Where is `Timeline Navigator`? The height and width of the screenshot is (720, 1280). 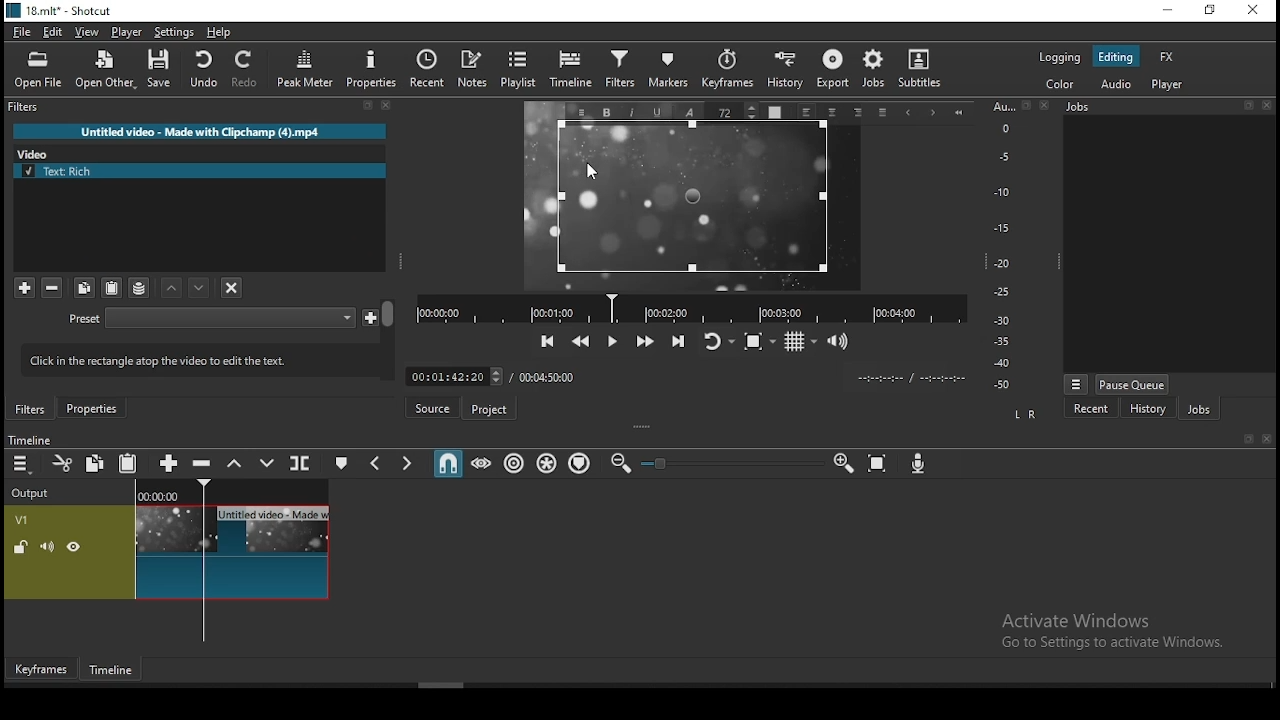
Timeline Navigator is located at coordinates (691, 309).